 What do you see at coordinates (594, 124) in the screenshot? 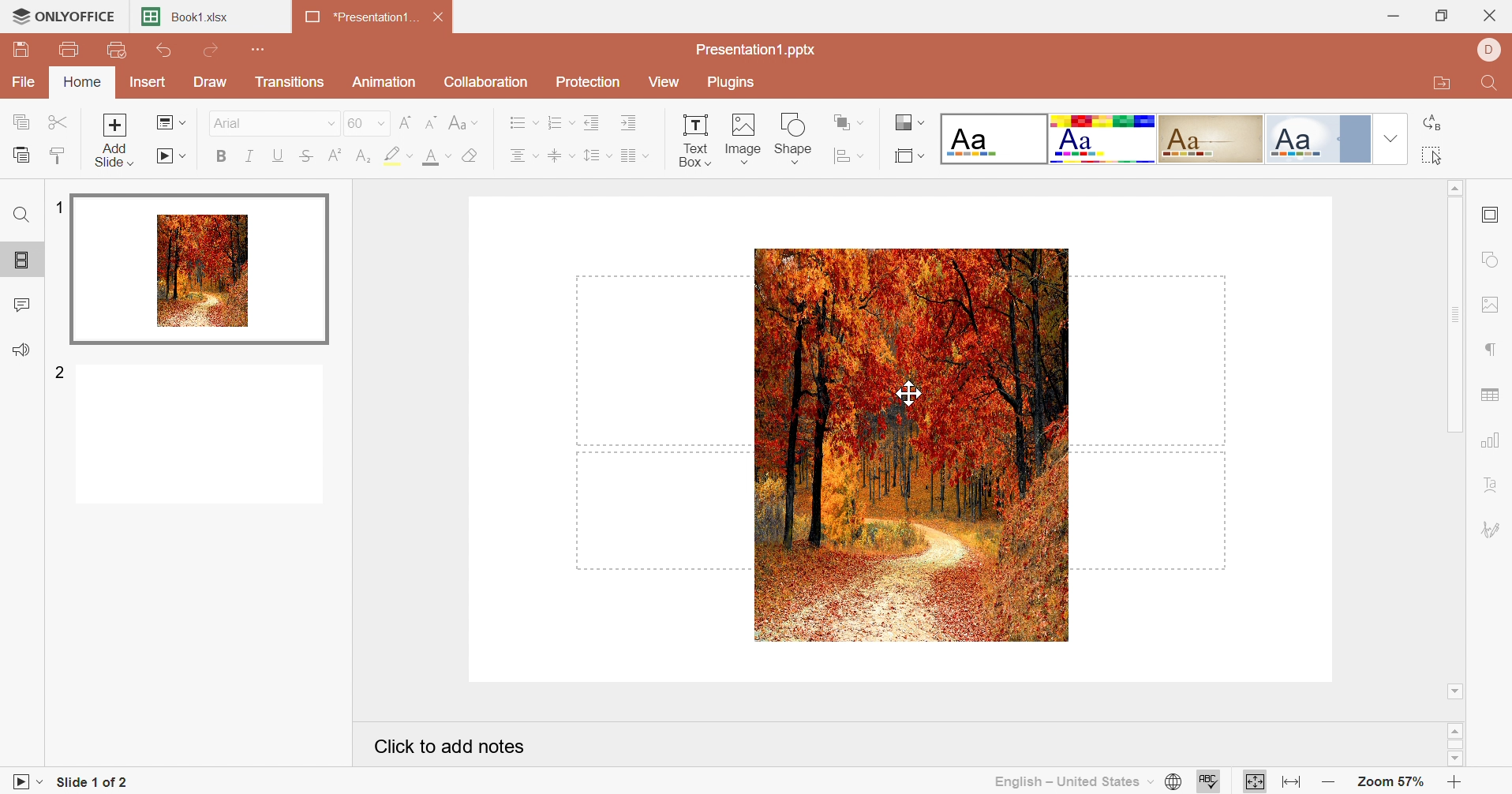
I see `Decrease Indent` at bounding box center [594, 124].